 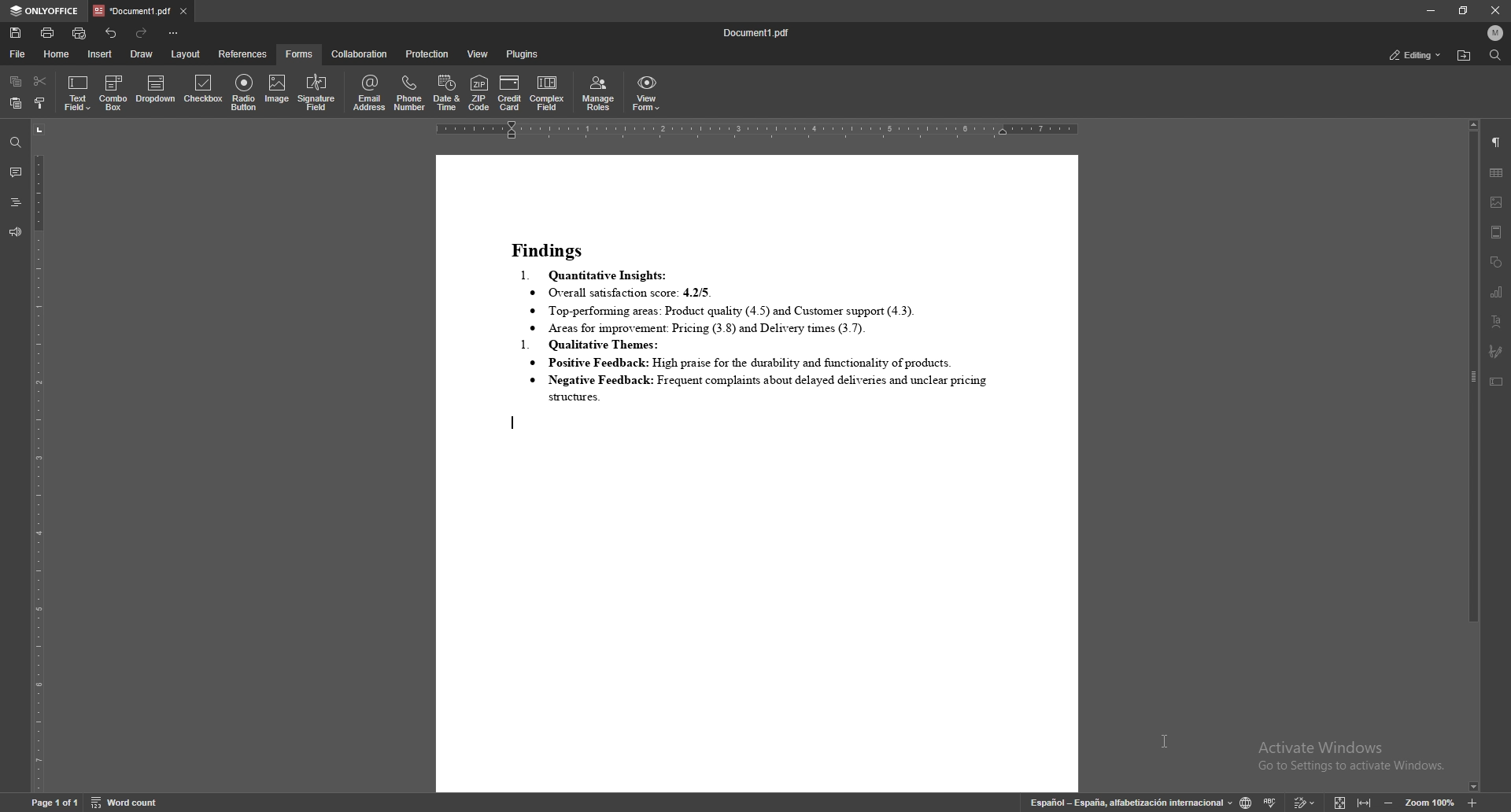 What do you see at coordinates (1473, 458) in the screenshot?
I see `scroll bar` at bounding box center [1473, 458].